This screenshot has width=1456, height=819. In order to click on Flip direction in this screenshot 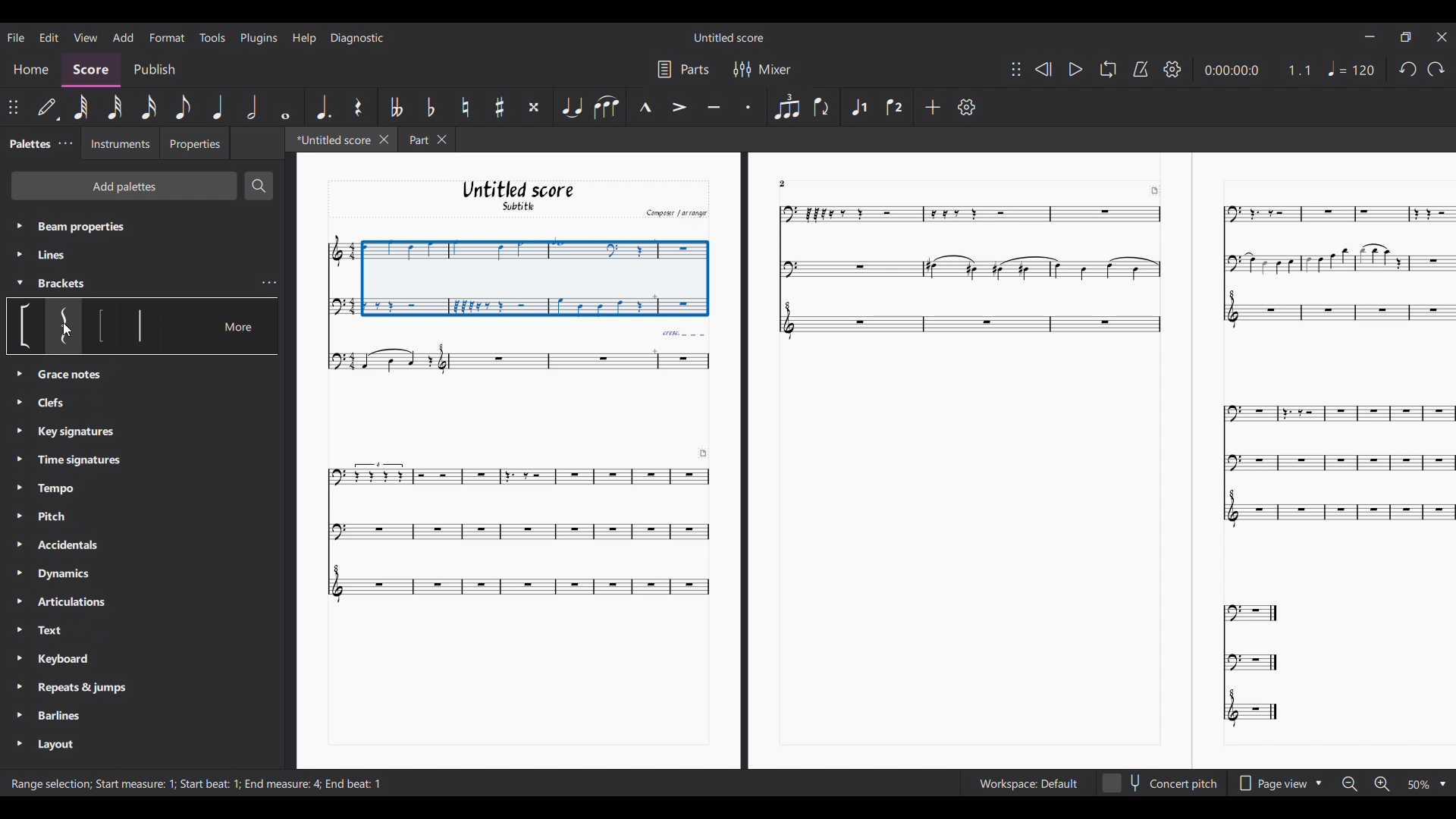, I will do `click(821, 108)`.